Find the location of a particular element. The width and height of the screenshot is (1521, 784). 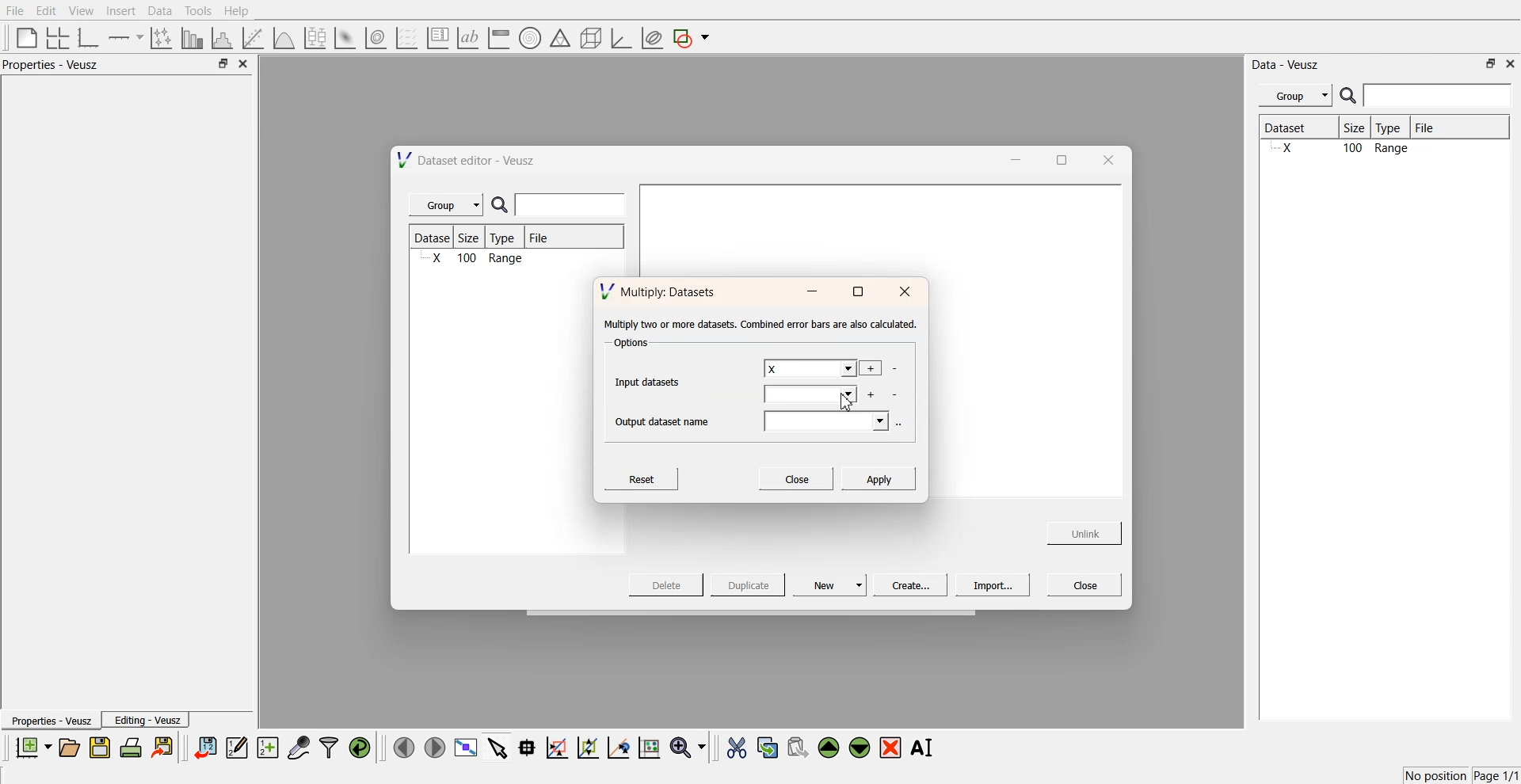

text label is located at coordinates (466, 38).